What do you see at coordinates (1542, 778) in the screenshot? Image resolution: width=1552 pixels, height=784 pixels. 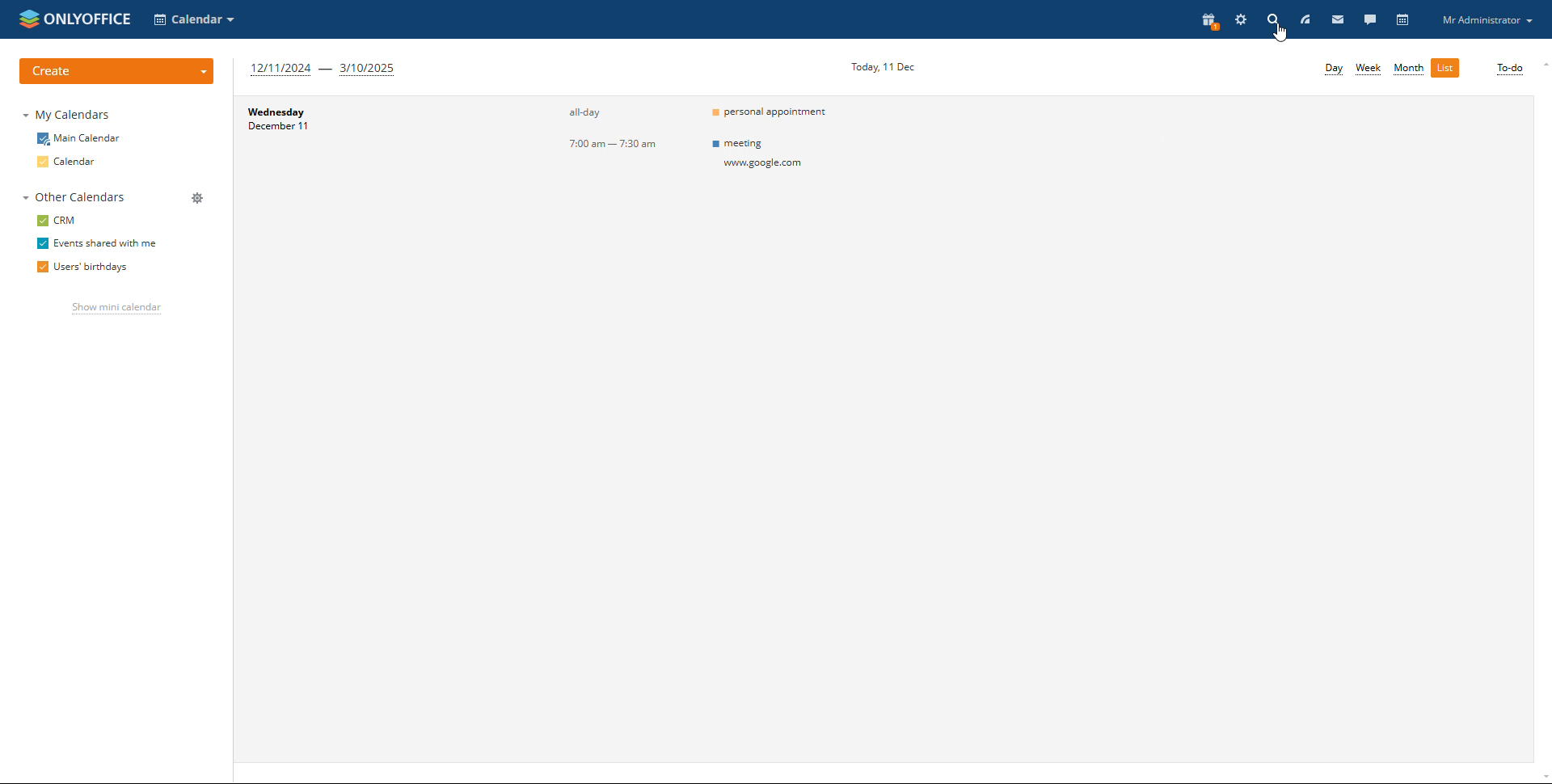 I see `scroll down` at bounding box center [1542, 778].